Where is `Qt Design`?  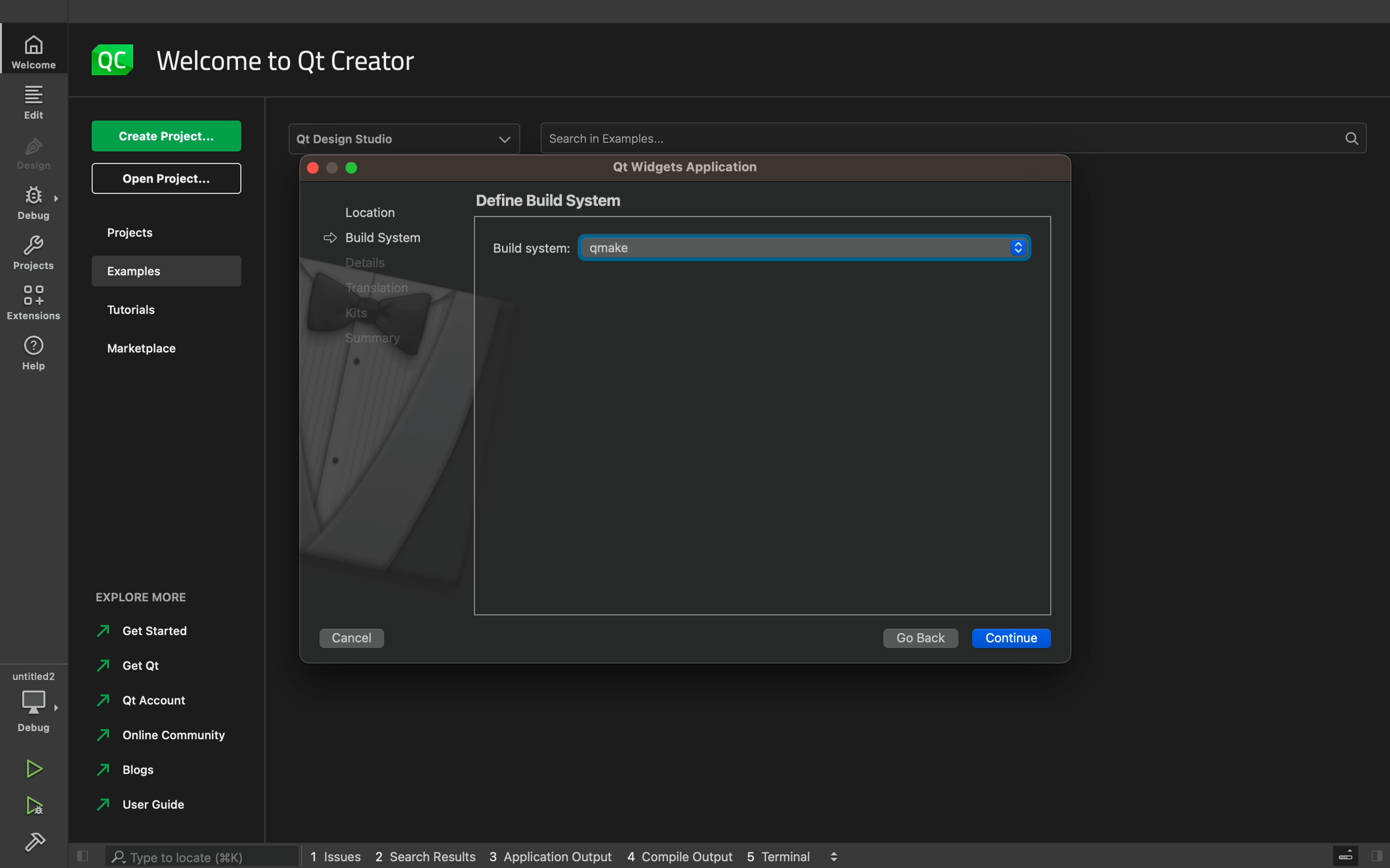
Qt Design is located at coordinates (406, 136).